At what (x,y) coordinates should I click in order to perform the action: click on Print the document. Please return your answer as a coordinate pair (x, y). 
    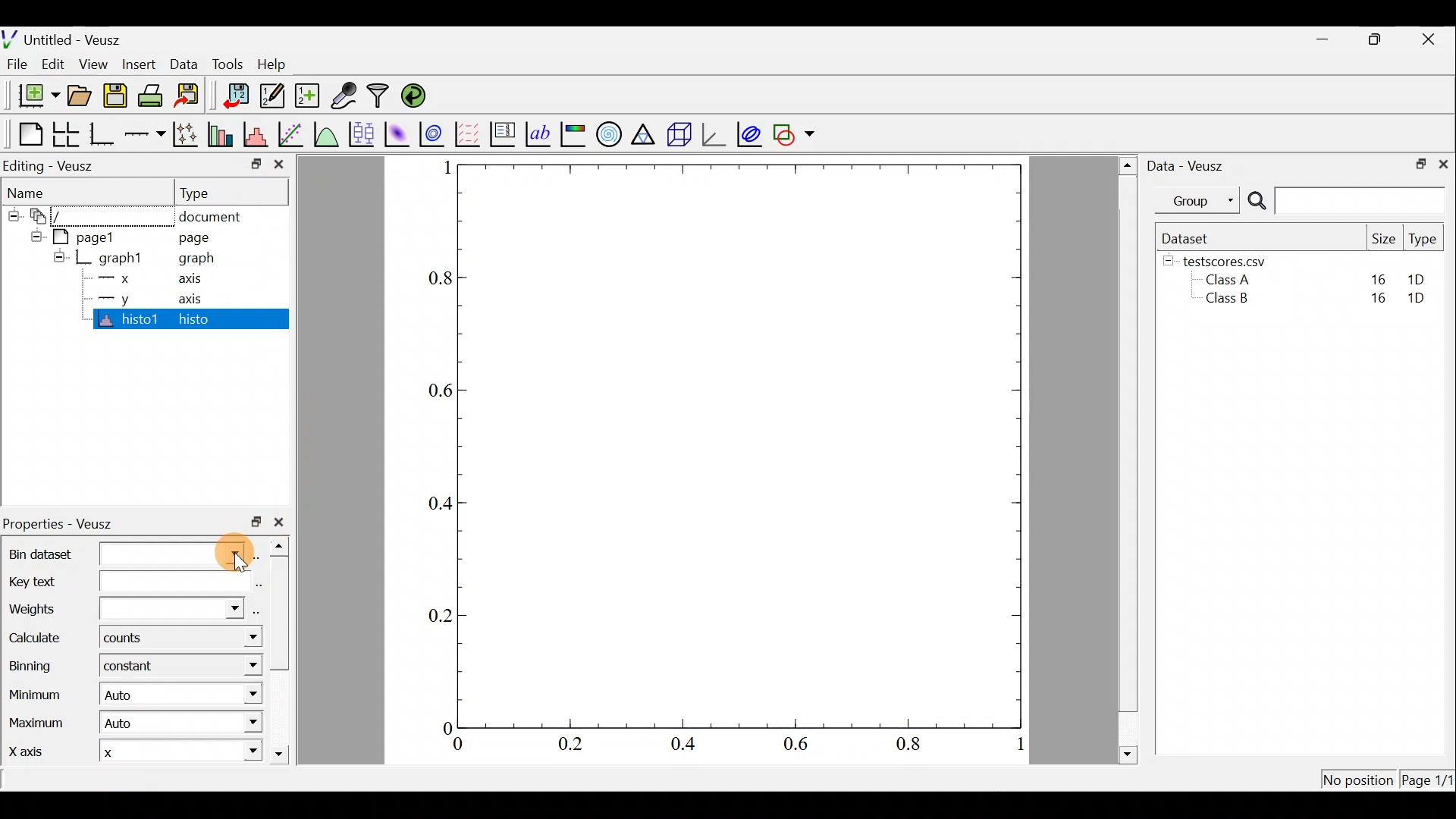
    Looking at the image, I should click on (151, 95).